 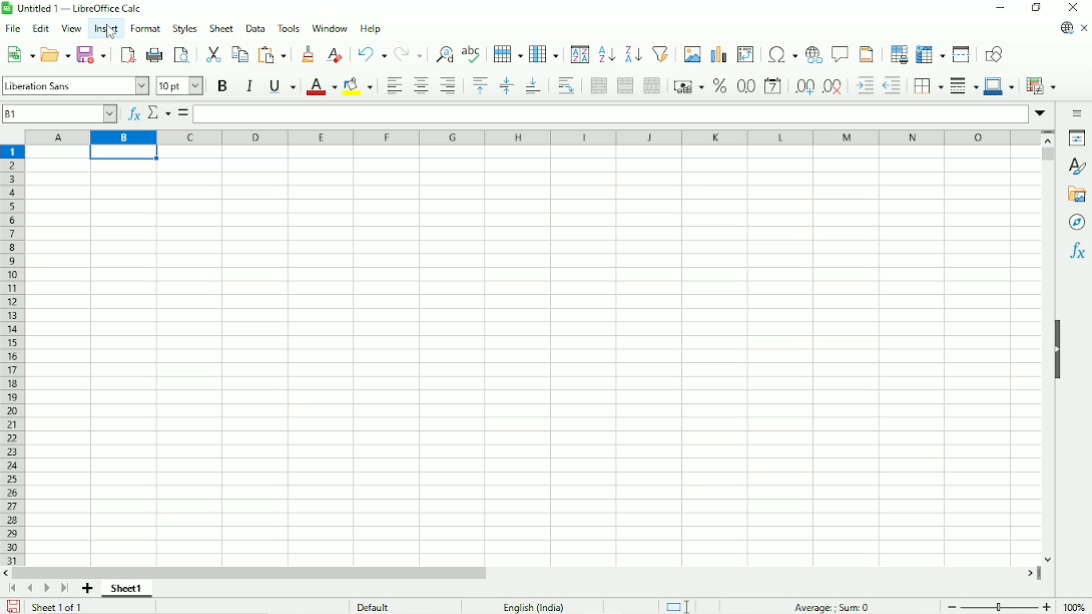 What do you see at coordinates (745, 85) in the screenshot?
I see `Format as number` at bounding box center [745, 85].